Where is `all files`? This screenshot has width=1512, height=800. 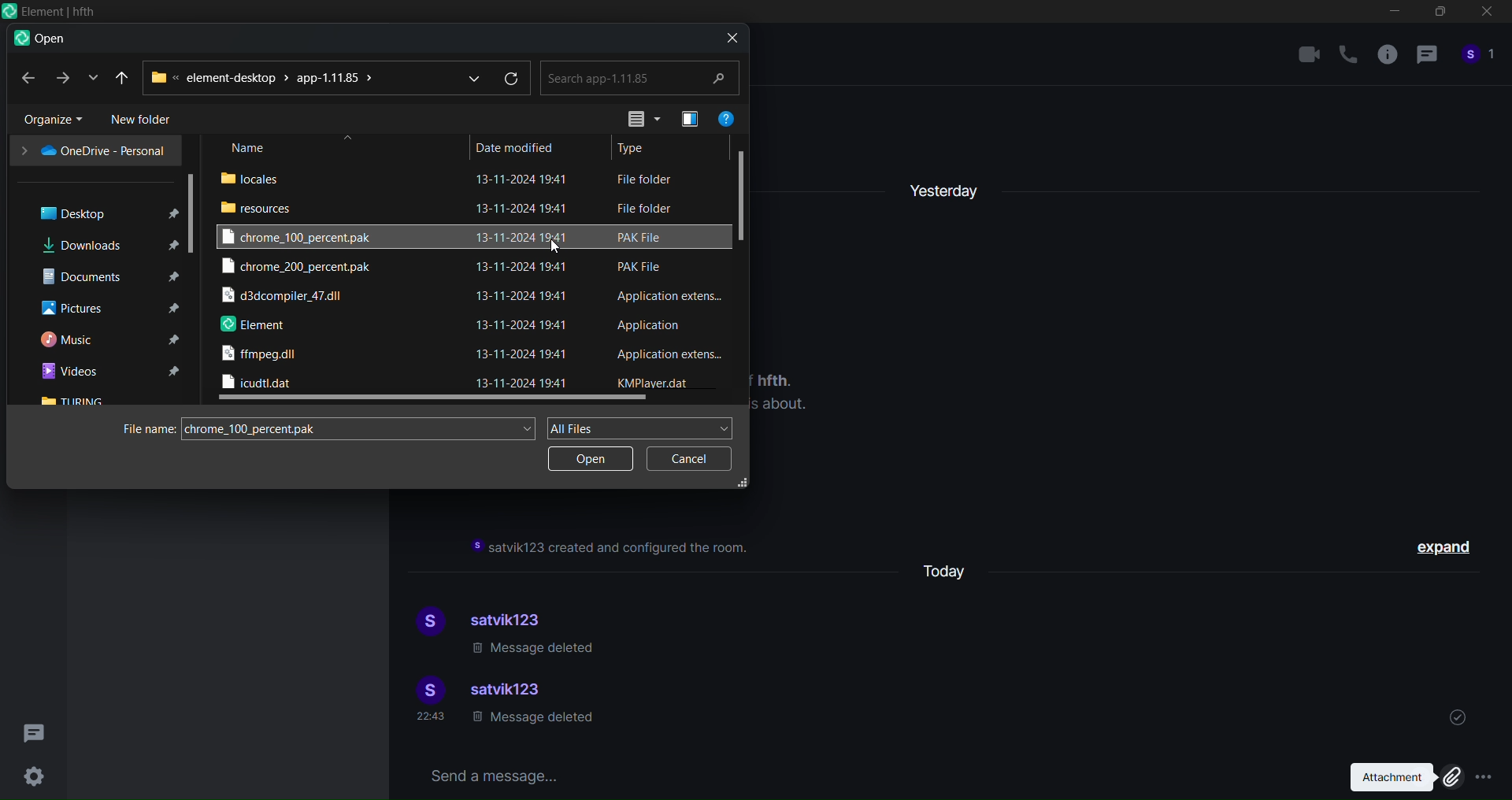 all files is located at coordinates (643, 426).